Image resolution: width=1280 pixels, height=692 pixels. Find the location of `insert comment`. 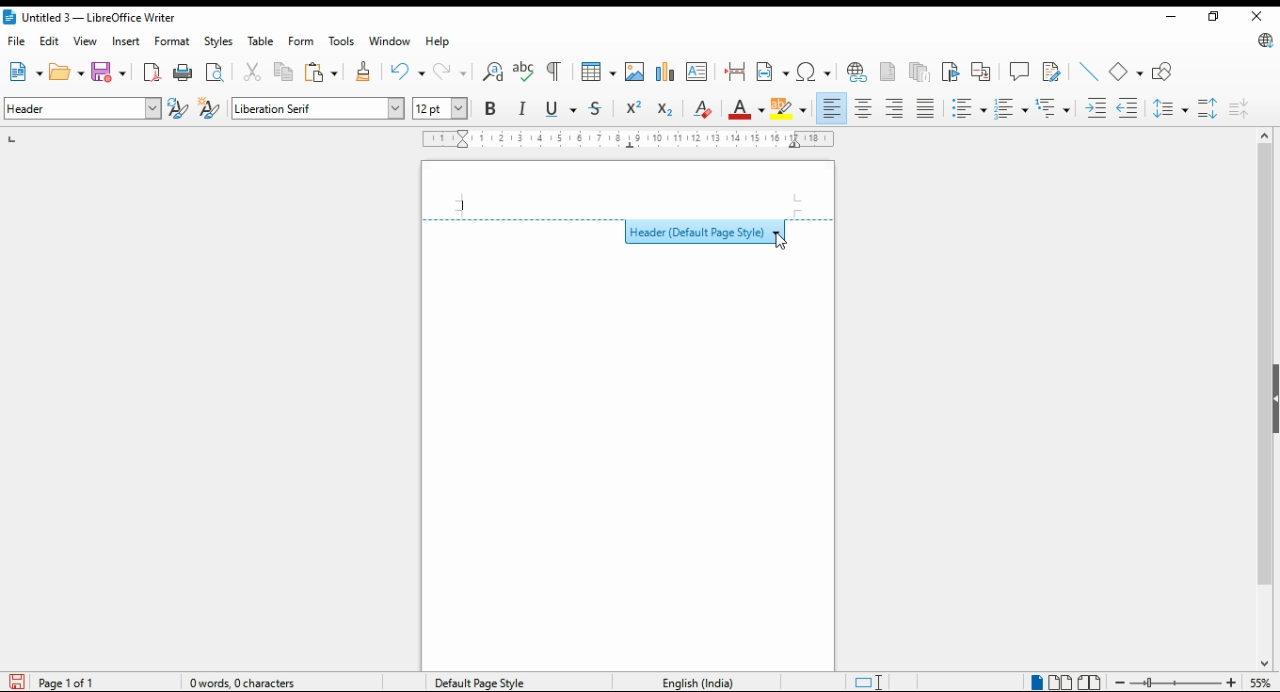

insert comment is located at coordinates (1019, 70).